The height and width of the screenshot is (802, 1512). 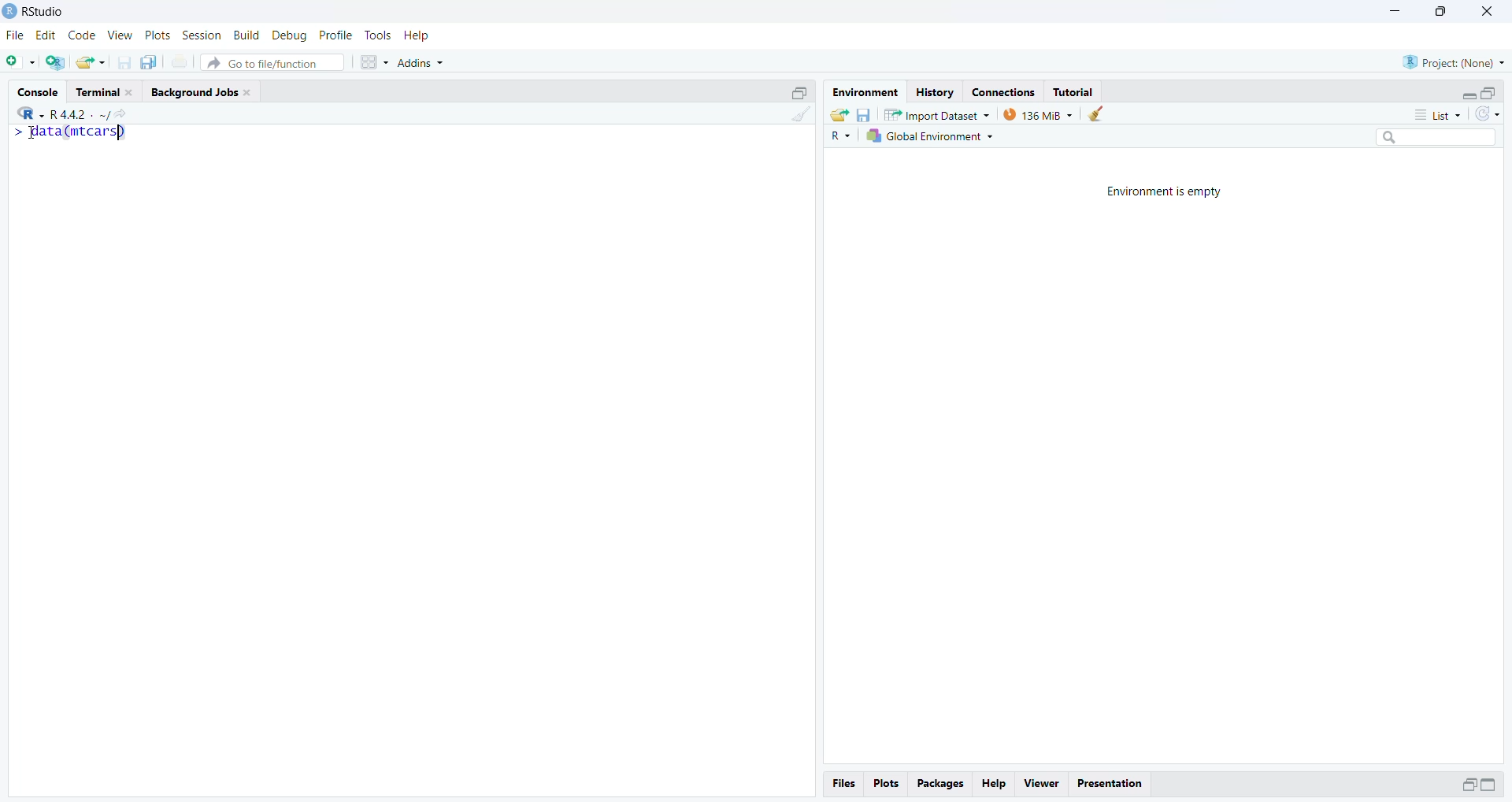 What do you see at coordinates (1038, 114) in the screenshot?
I see `135 MiB` at bounding box center [1038, 114].